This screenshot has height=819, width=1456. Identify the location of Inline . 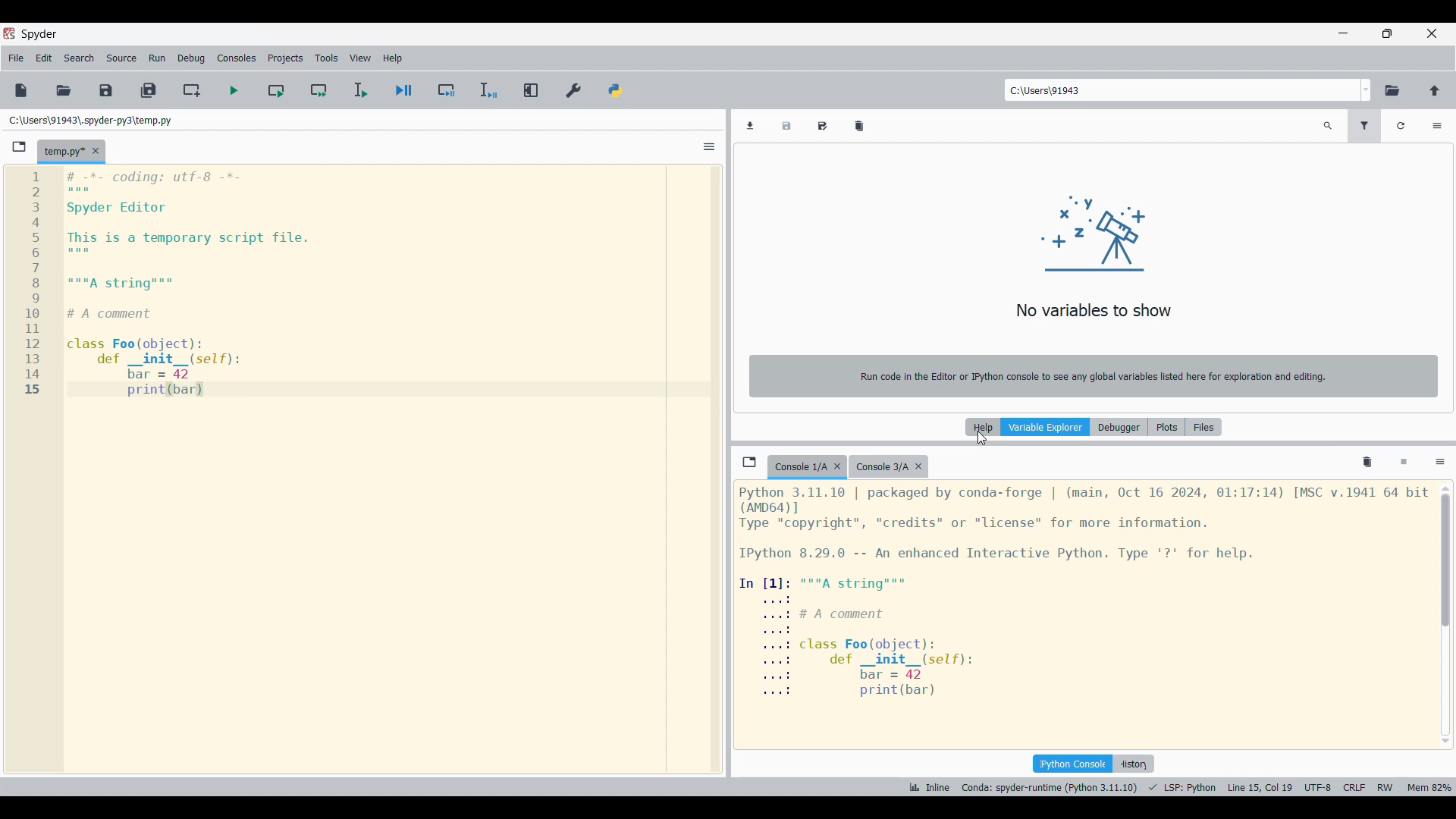
(932, 783).